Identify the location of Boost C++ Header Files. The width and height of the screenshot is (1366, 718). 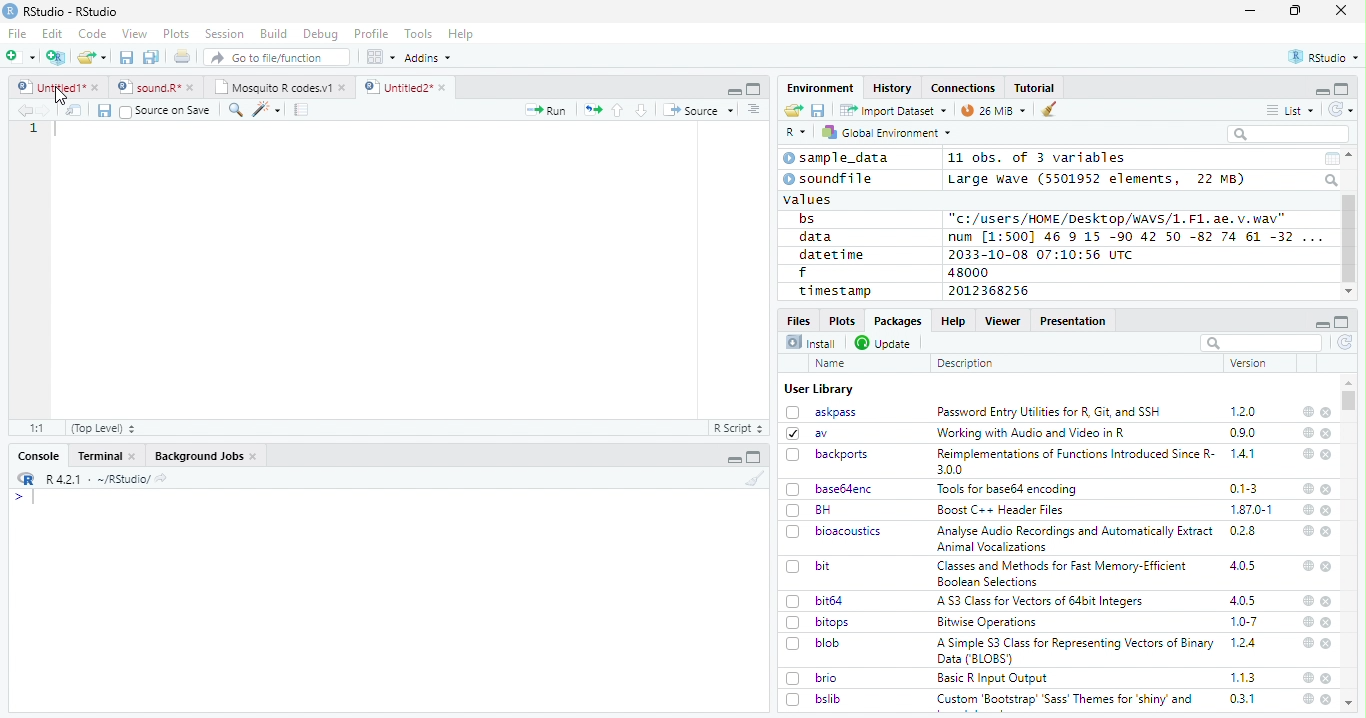
(998, 511).